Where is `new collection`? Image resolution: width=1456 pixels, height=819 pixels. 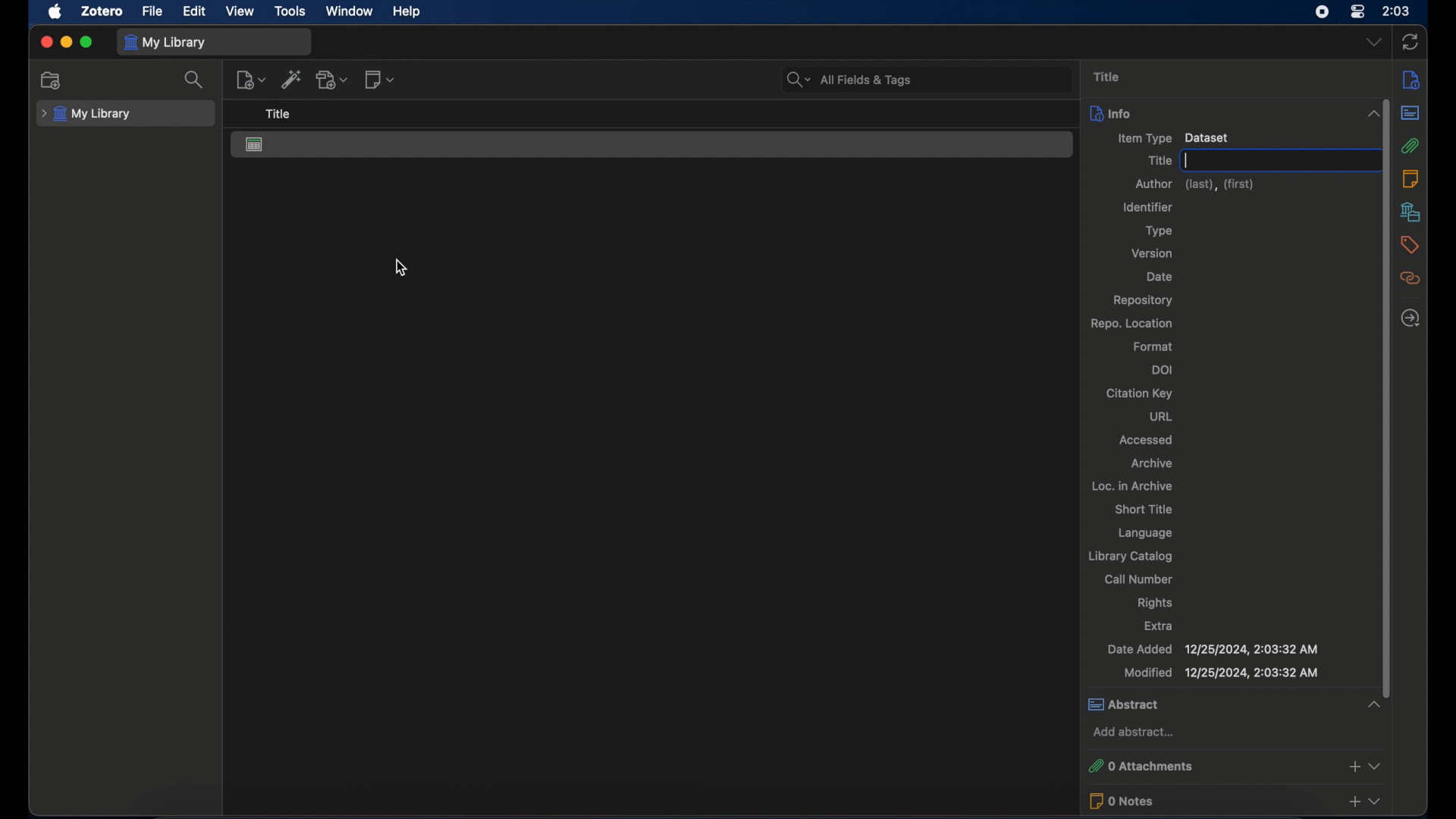 new collection is located at coordinates (52, 81).